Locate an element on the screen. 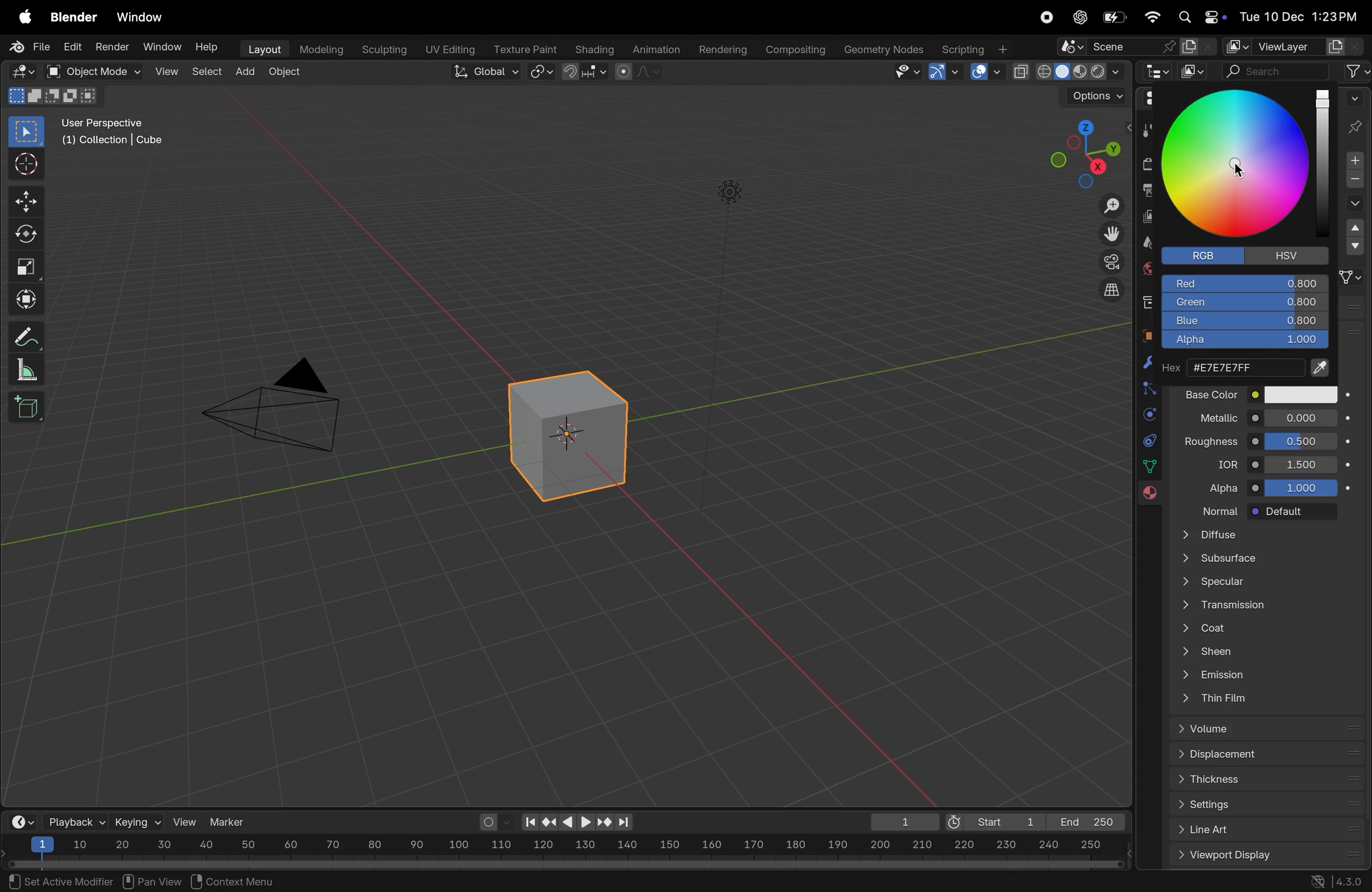 The width and height of the screenshot is (1372, 892). subsurface is located at coordinates (1260, 560).